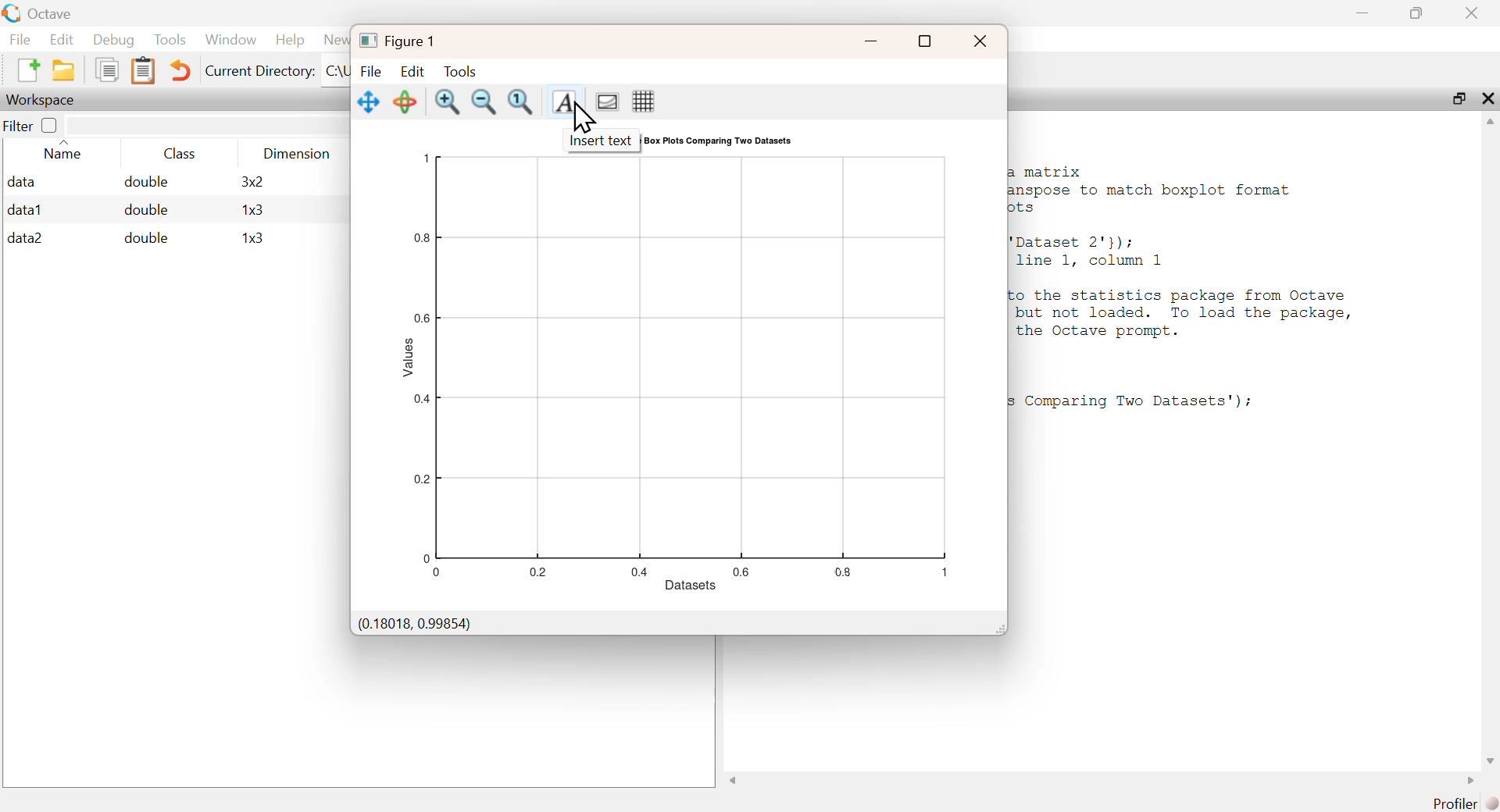 Image resolution: width=1500 pixels, height=812 pixels. I want to click on scroll left, so click(736, 782).